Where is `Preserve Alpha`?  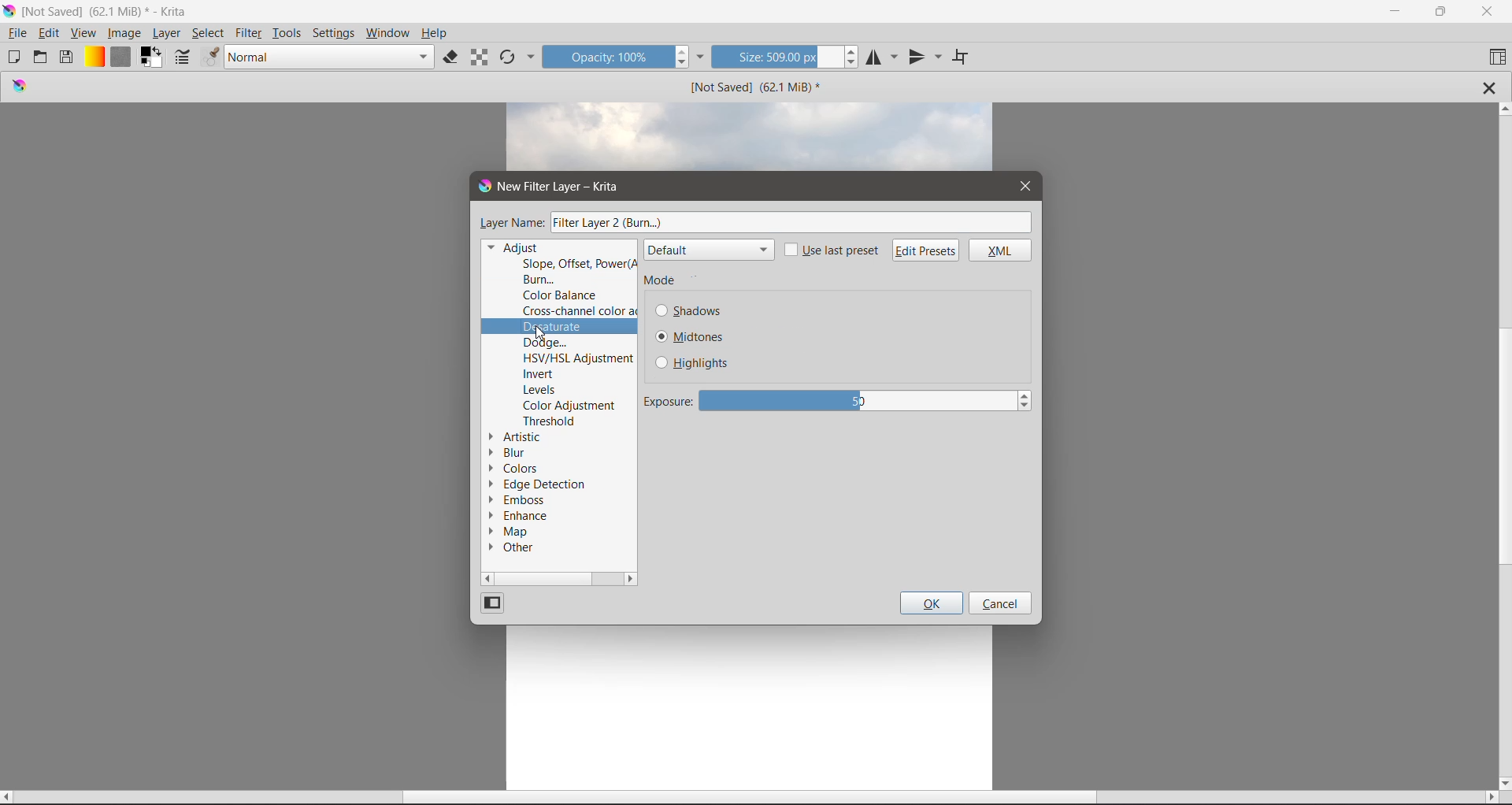 Preserve Alpha is located at coordinates (480, 57).